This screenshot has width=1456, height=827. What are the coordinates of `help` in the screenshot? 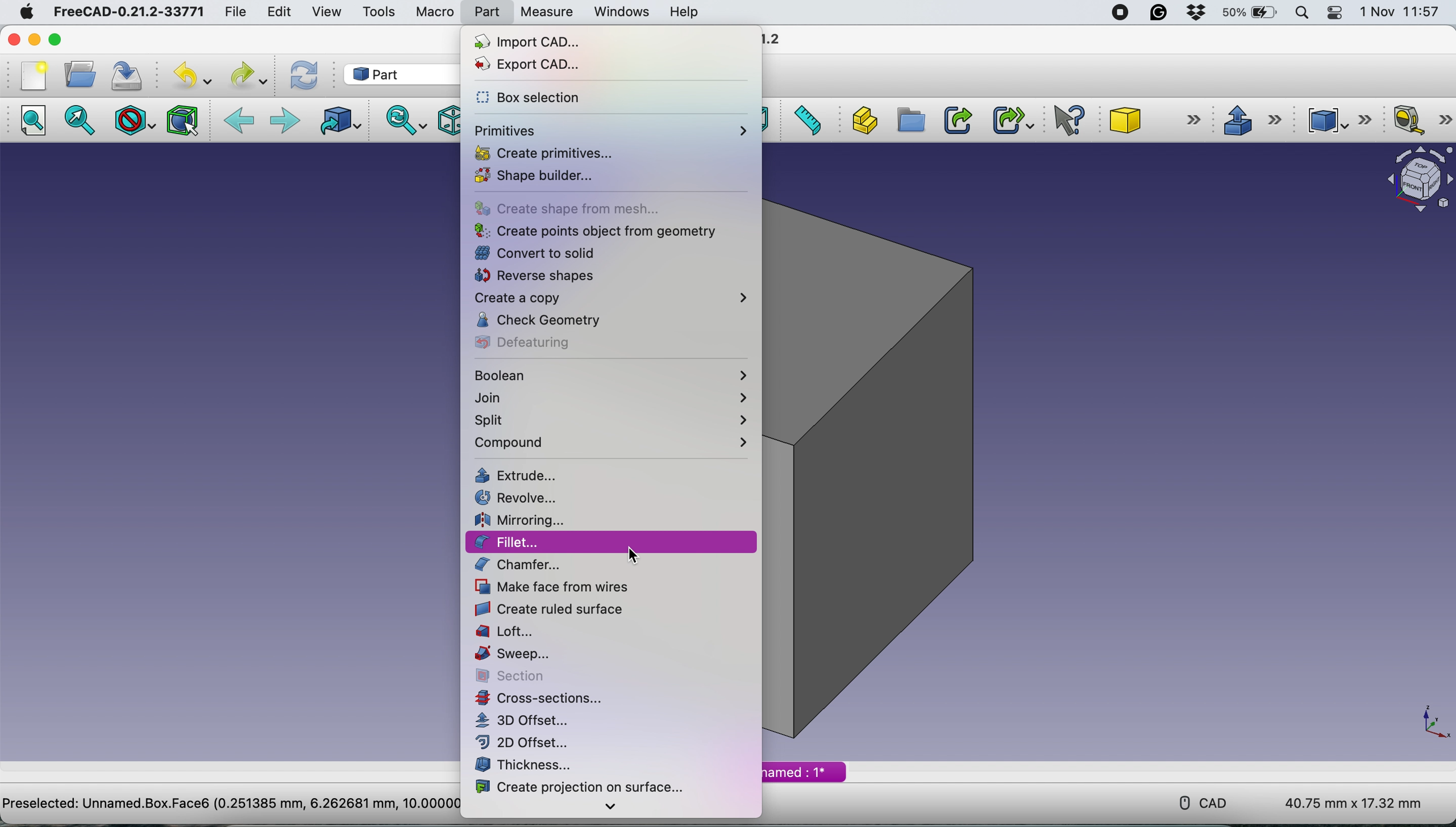 It's located at (687, 12).